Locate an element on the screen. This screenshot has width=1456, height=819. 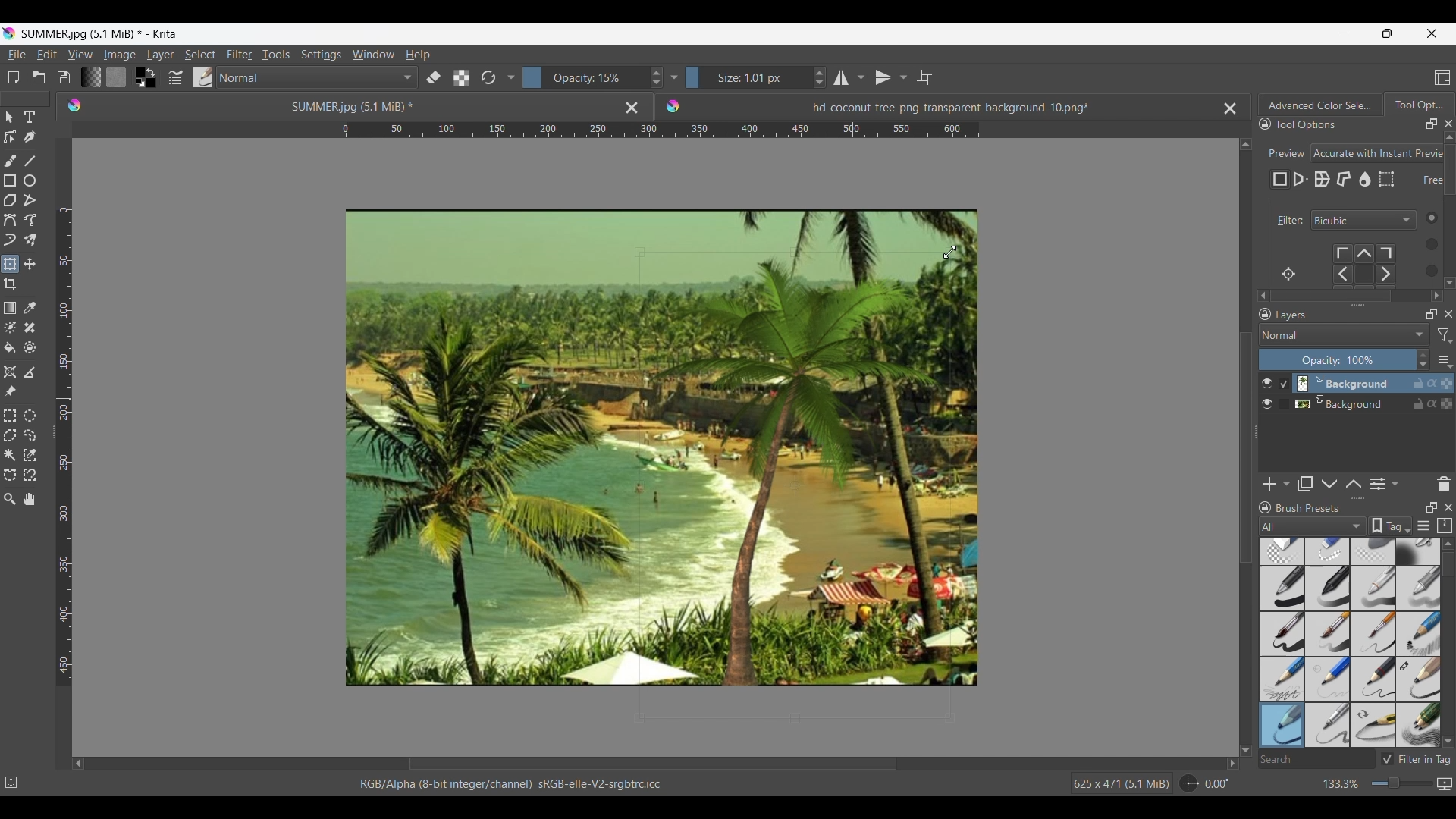
Select is located at coordinates (200, 55).